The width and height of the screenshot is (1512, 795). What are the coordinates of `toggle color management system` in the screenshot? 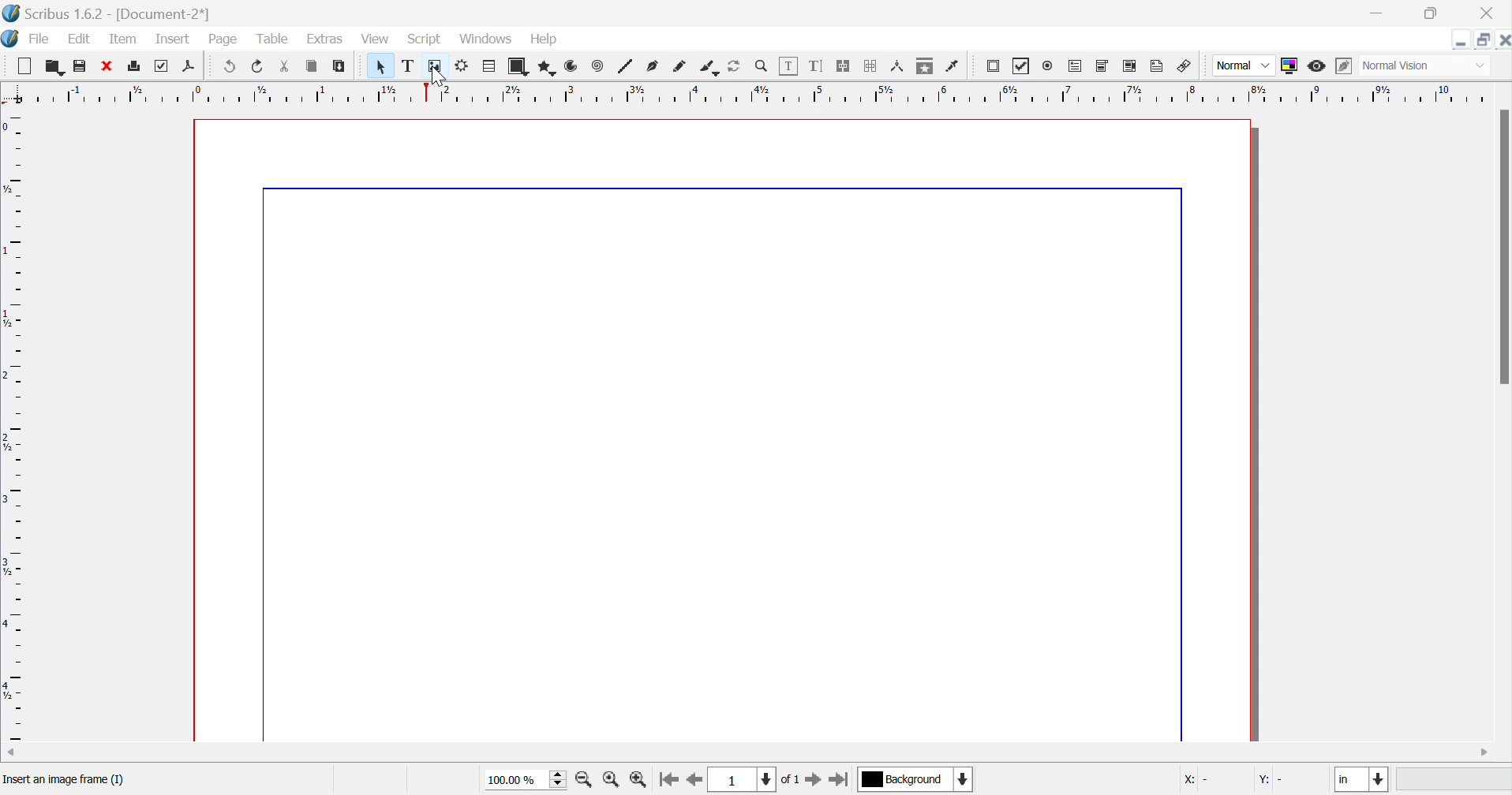 It's located at (1290, 65).